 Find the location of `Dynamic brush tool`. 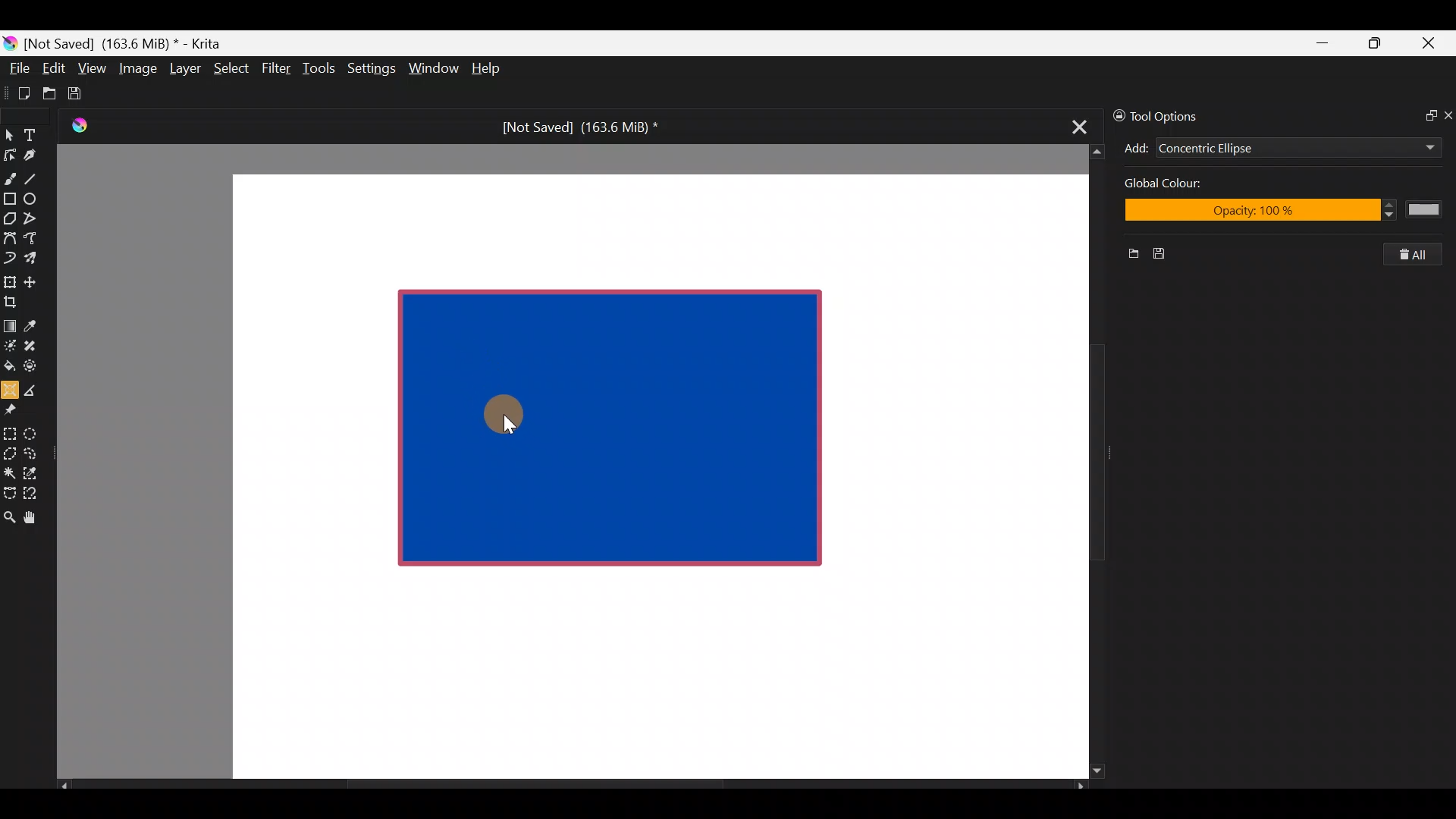

Dynamic brush tool is located at coordinates (11, 258).